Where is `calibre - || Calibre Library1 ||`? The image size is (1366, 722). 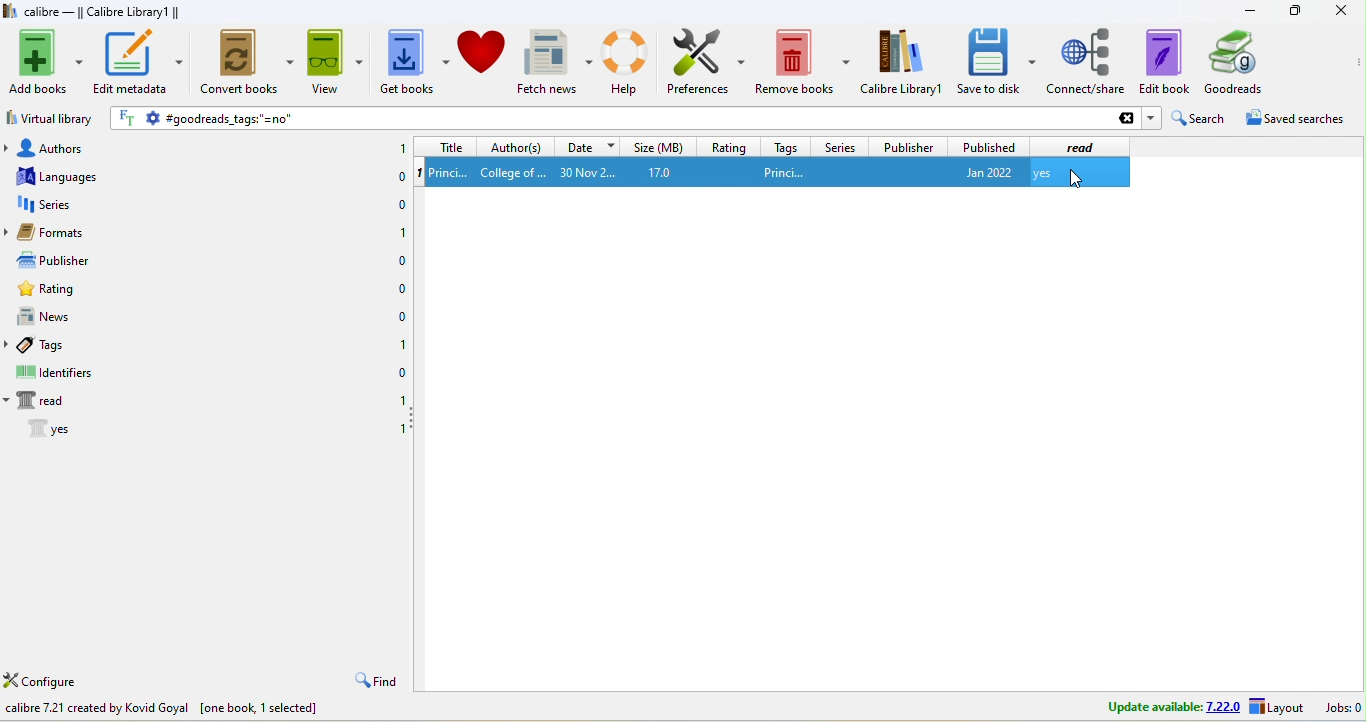 calibre - || Calibre Library1 || is located at coordinates (102, 11).